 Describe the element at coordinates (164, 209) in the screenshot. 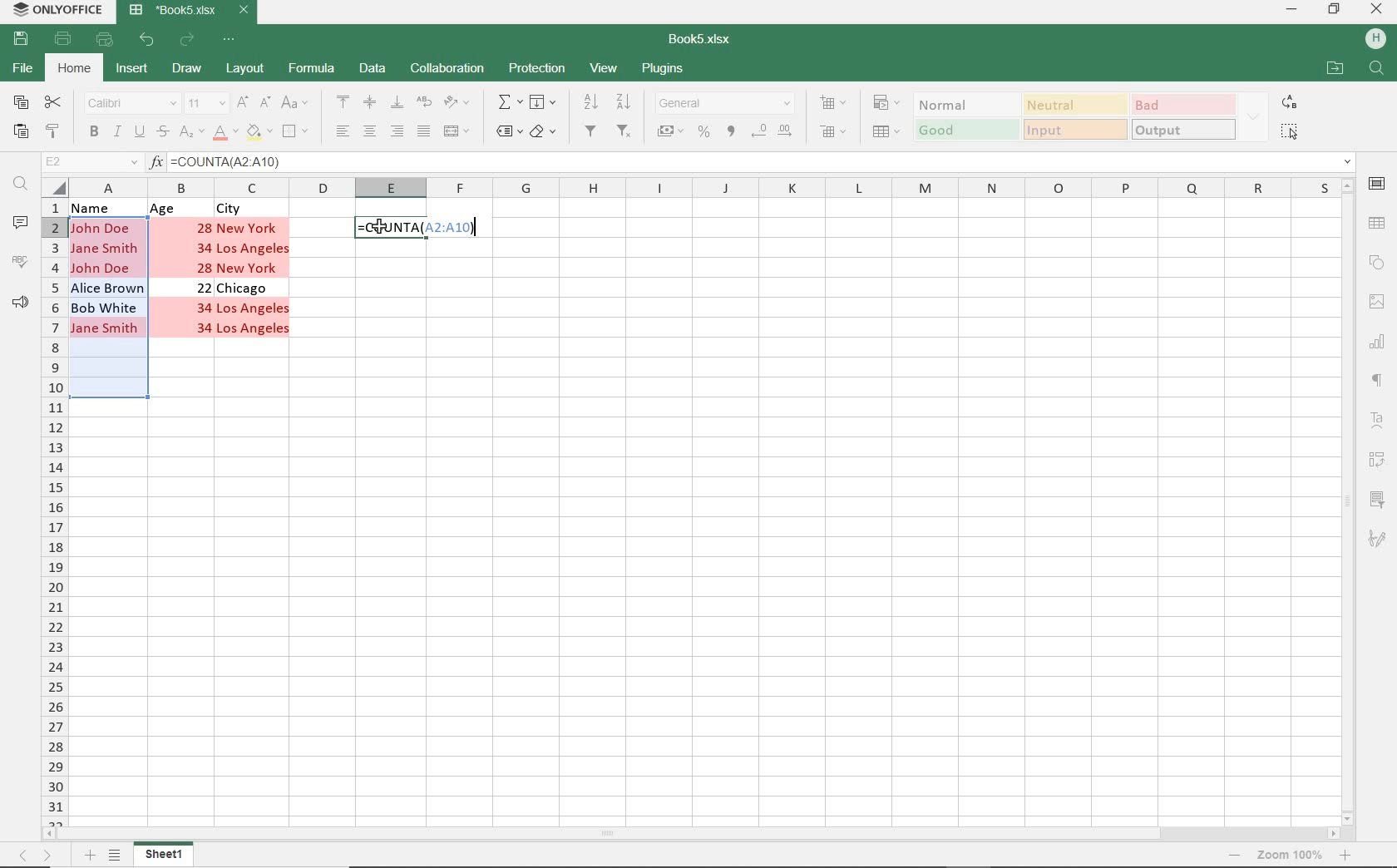

I see `Age` at that location.